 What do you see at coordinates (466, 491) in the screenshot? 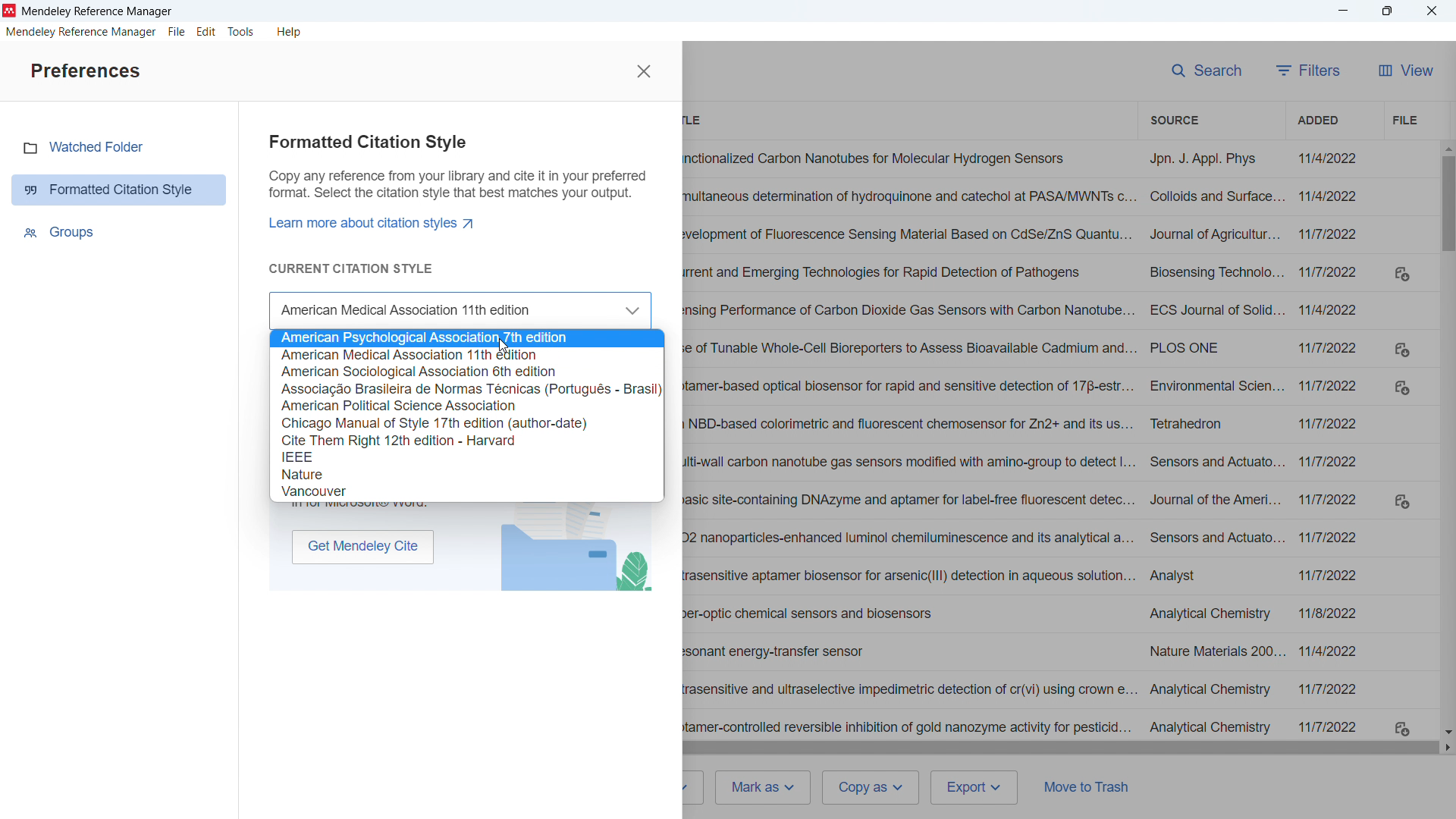
I see `Vancouver` at bounding box center [466, 491].